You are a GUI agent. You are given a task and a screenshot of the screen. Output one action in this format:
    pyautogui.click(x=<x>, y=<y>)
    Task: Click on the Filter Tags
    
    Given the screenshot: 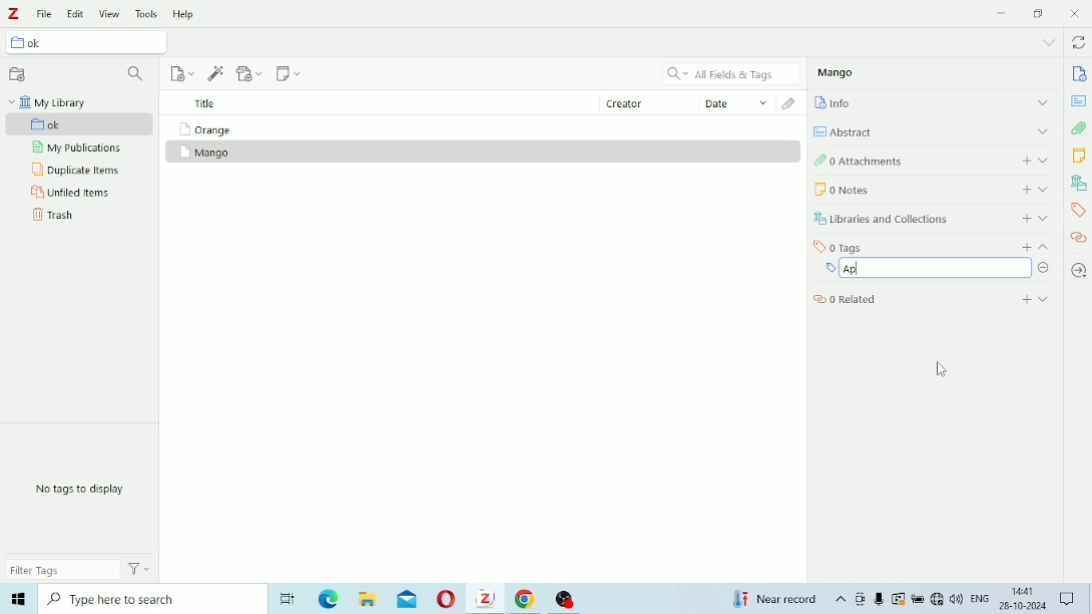 What is the action you would take?
    pyautogui.click(x=59, y=570)
    